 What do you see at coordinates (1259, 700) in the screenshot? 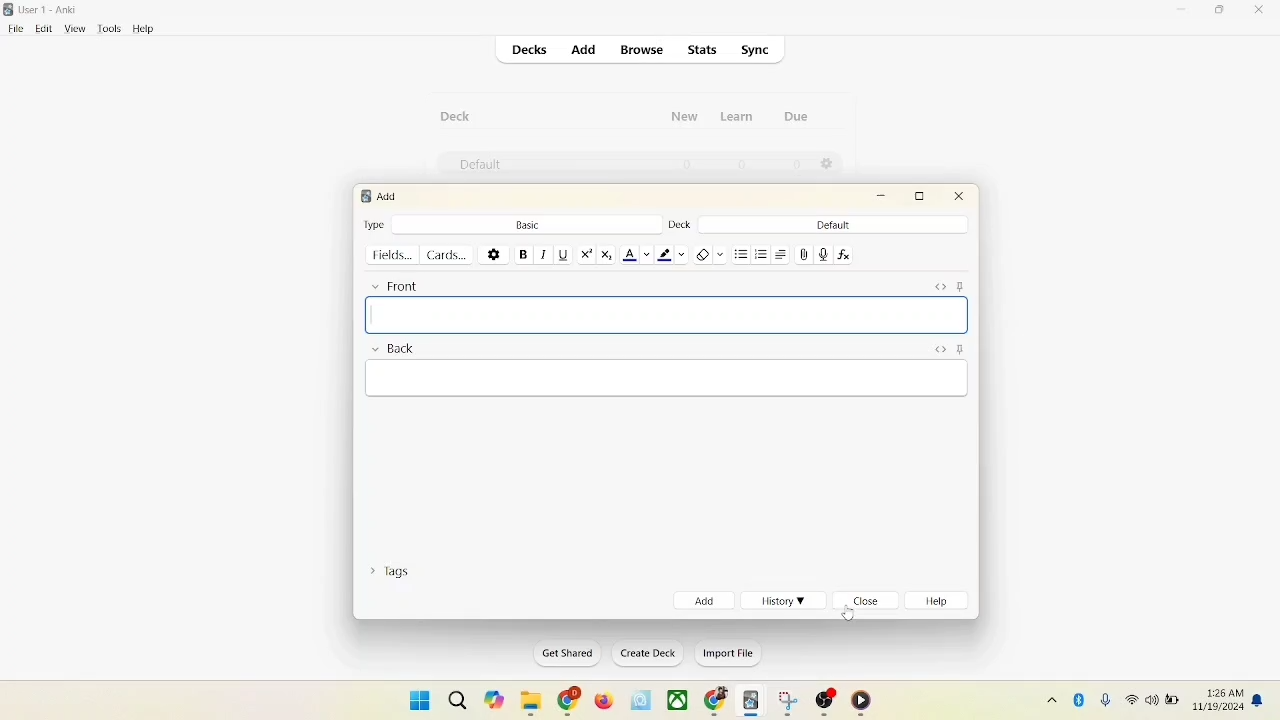
I see `notification` at bounding box center [1259, 700].